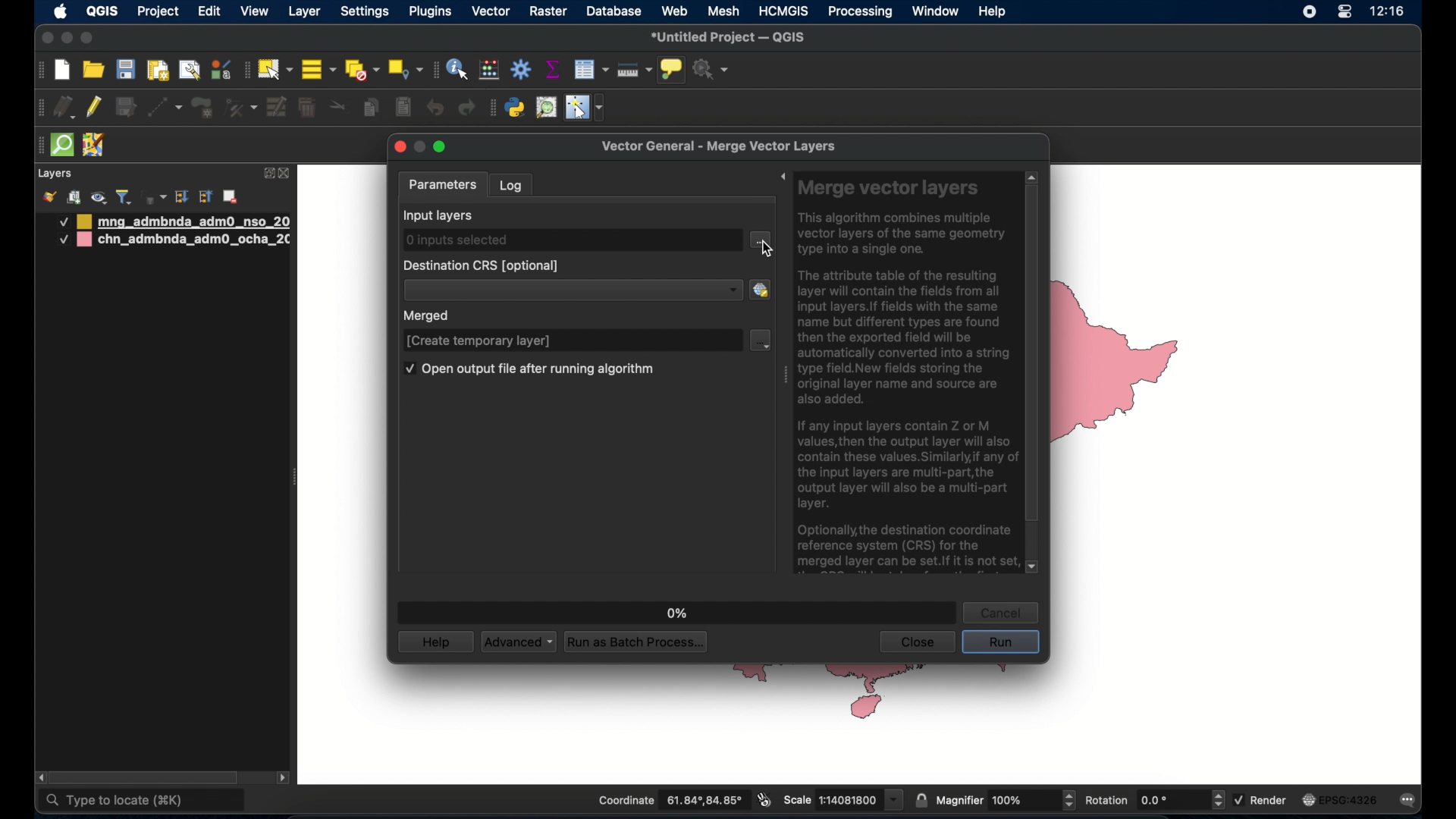  I want to click on window, so click(935, 11).